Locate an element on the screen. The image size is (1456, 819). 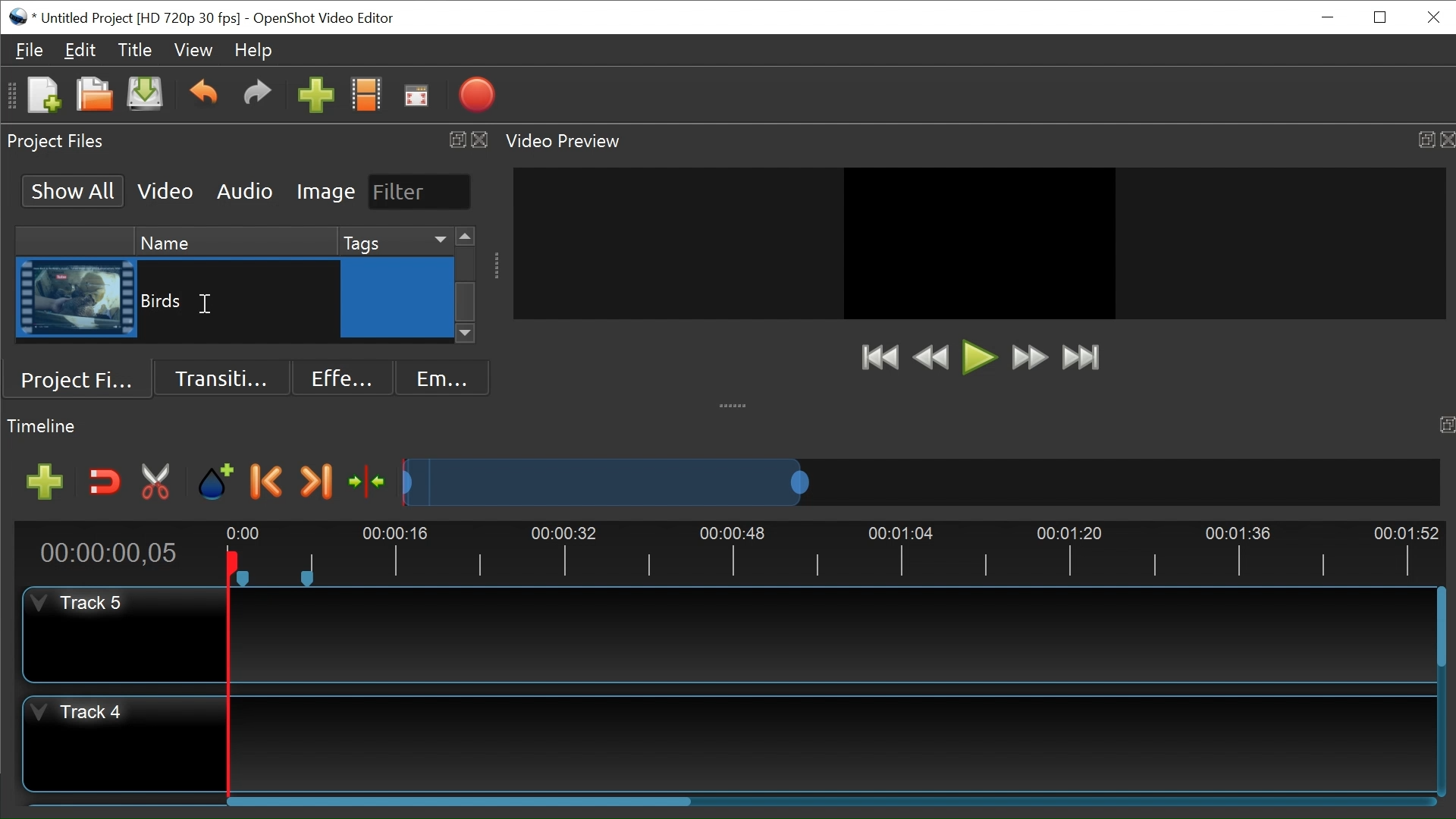
Vertical Scroll bar is located at coordinates (466, 301).